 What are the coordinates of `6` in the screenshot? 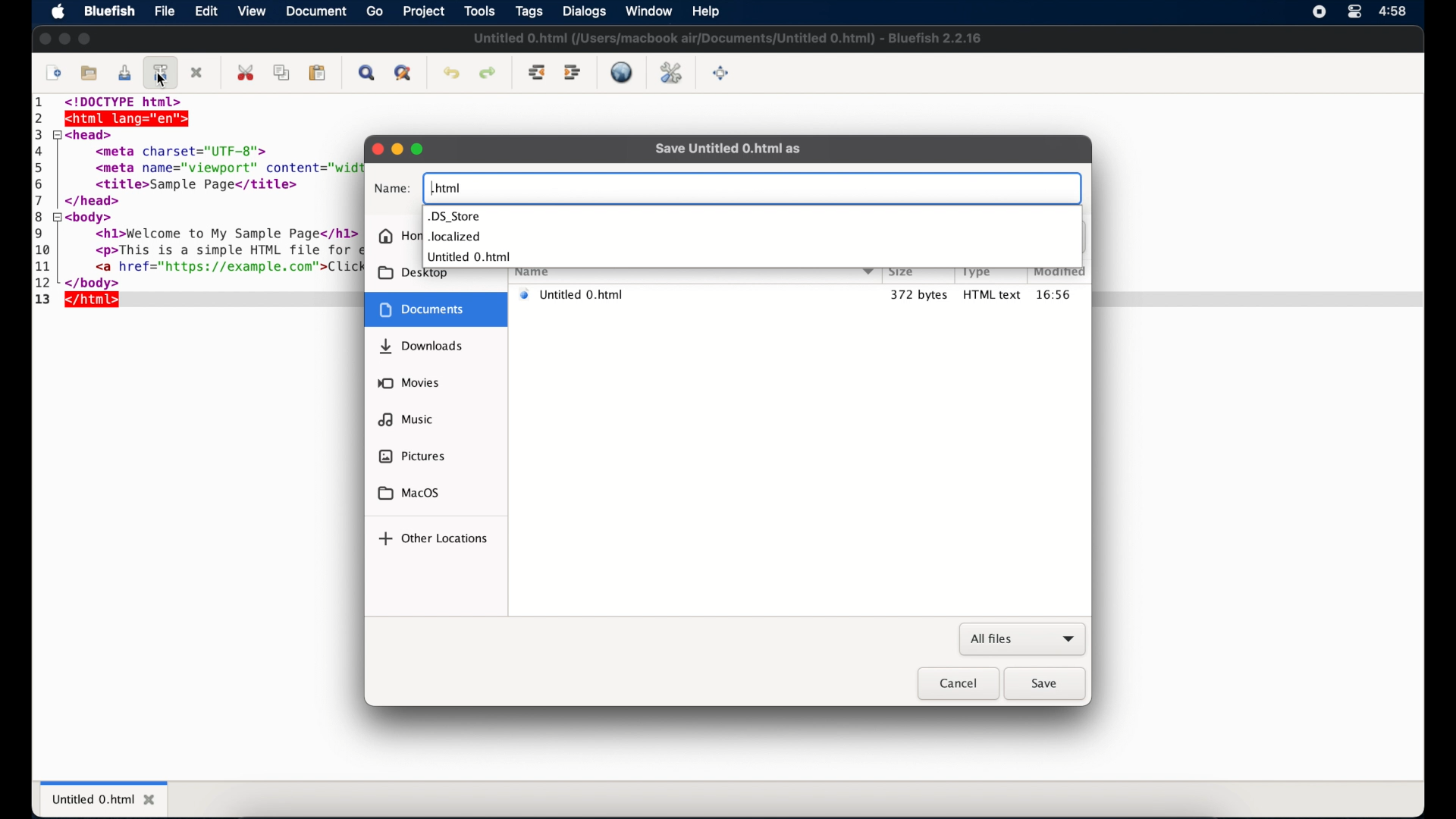 It's located at (42, 183).